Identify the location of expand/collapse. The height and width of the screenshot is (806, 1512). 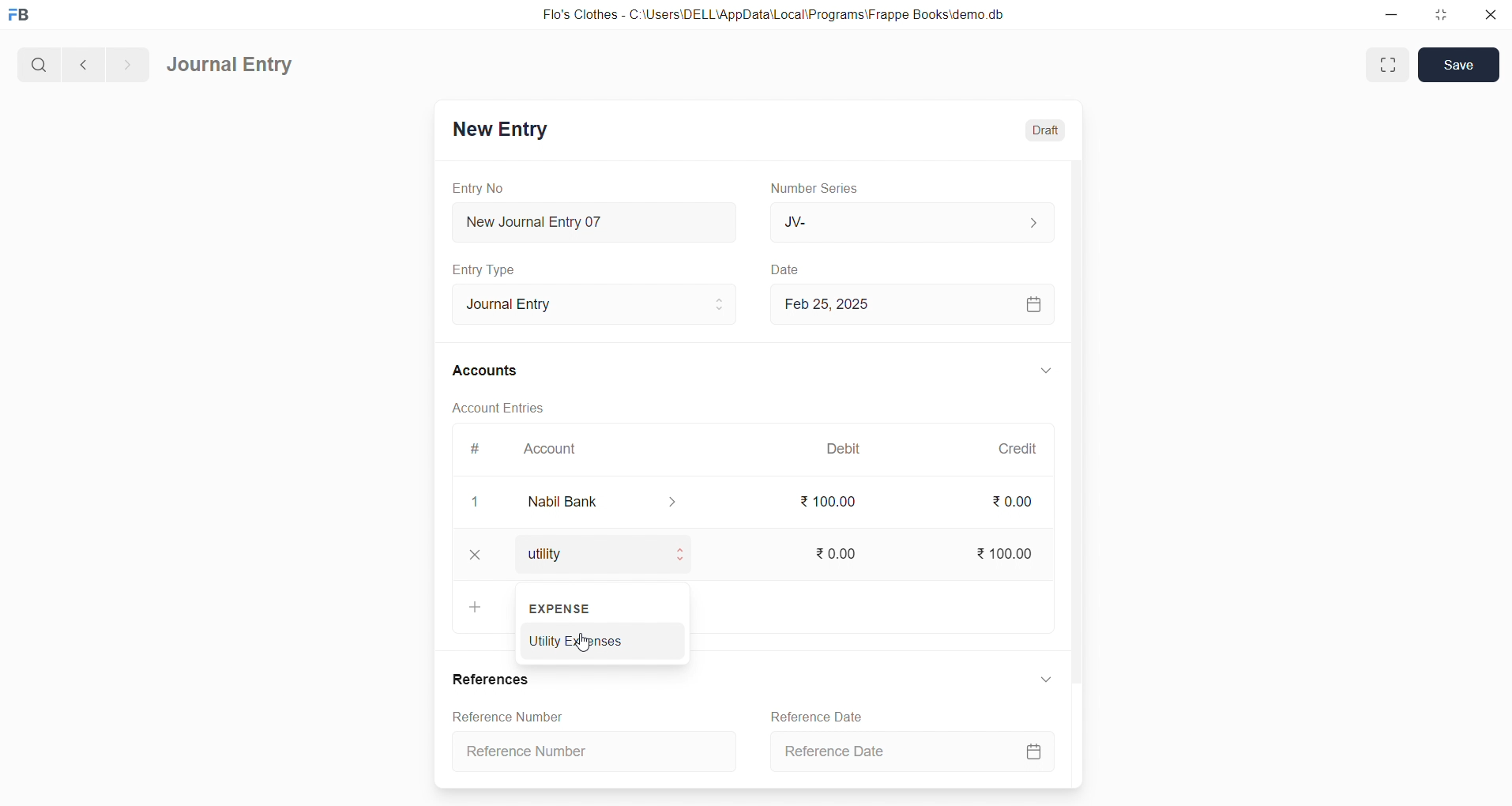
(1040, 682).